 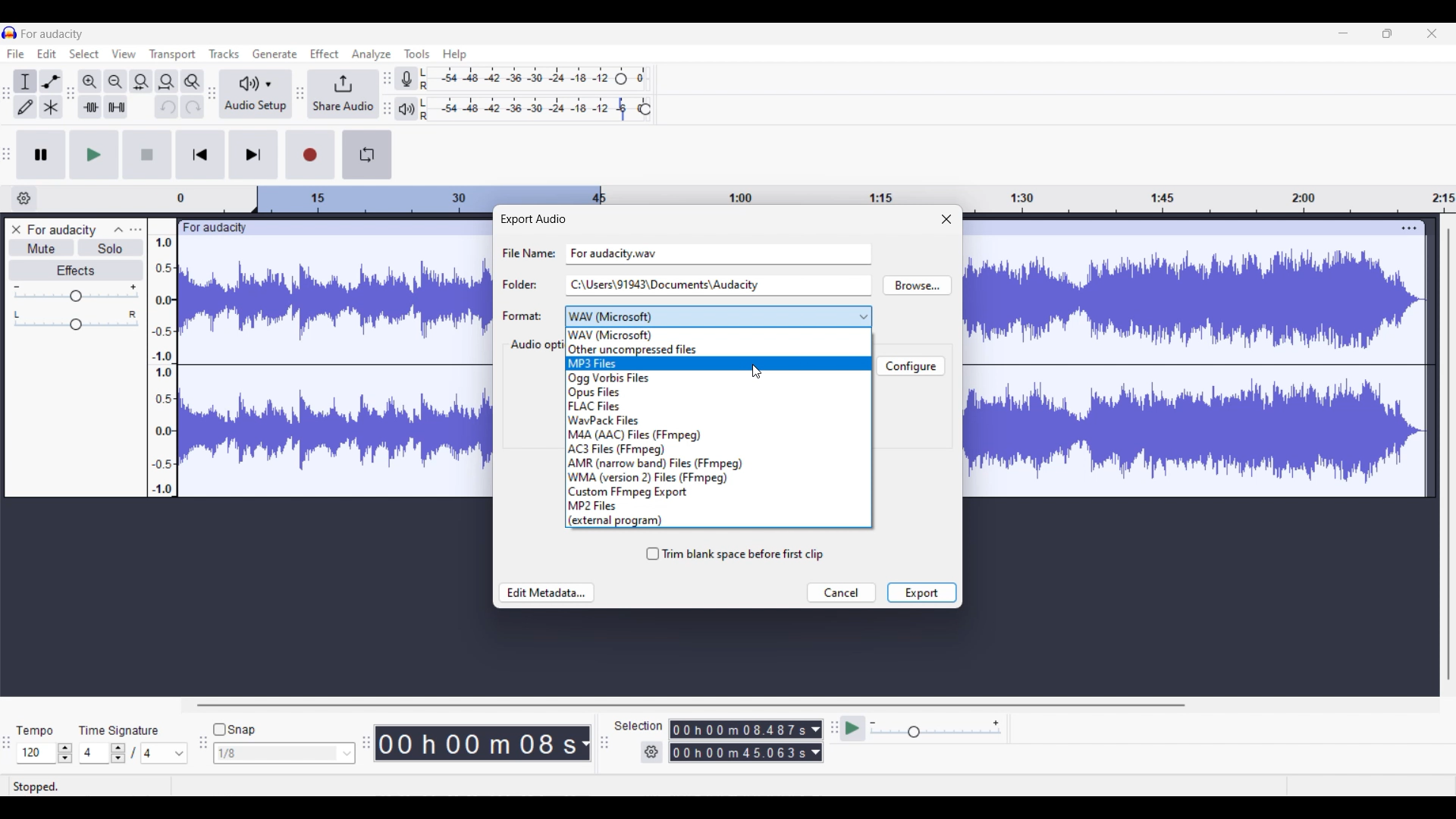 What do you see at coordinates (95, 155) in the screenshot?
I see `Play/Play once` at bounding box center [95, 155].